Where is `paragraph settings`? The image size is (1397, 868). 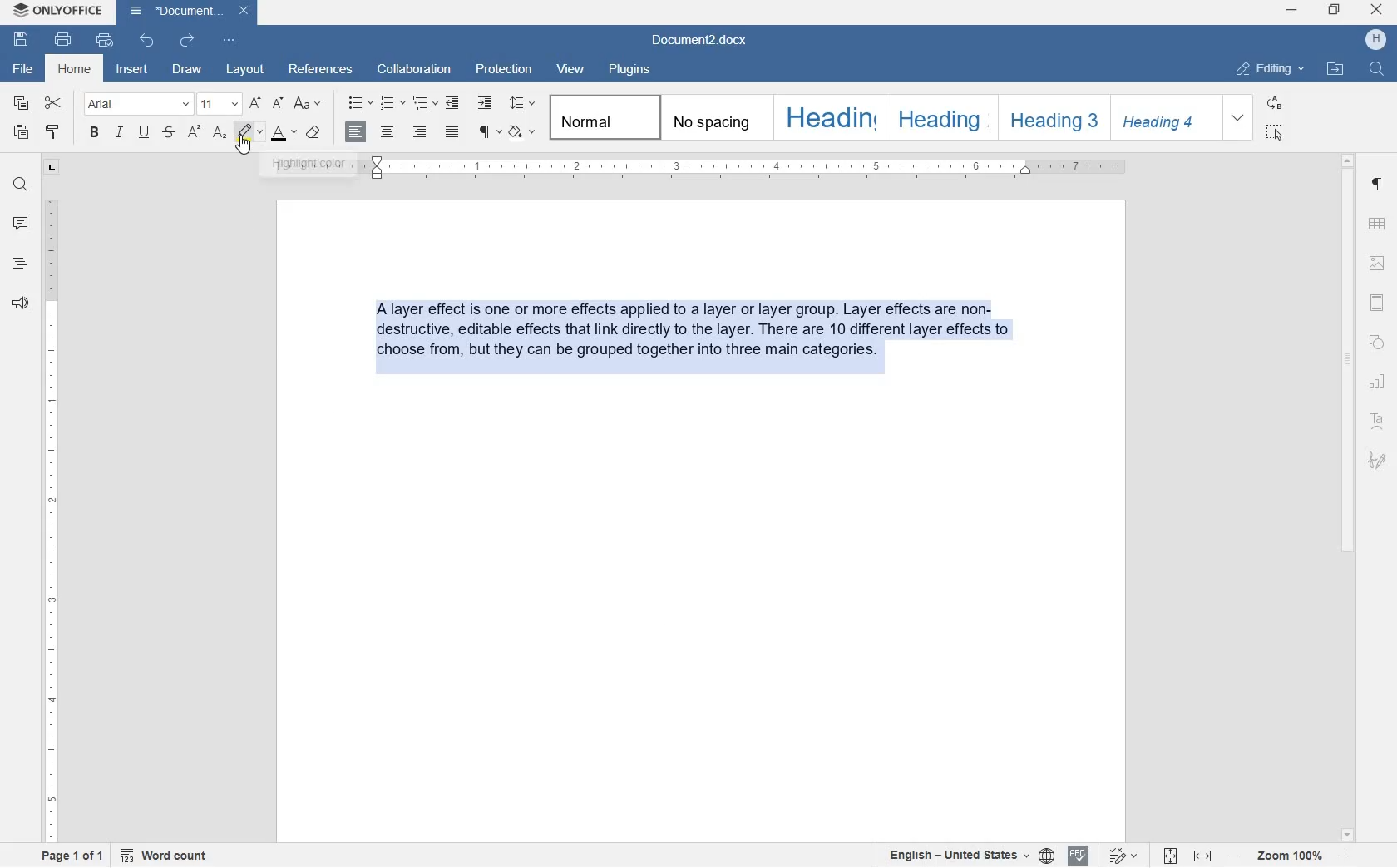
paragraph settings is located at coordinates (1376, 185).